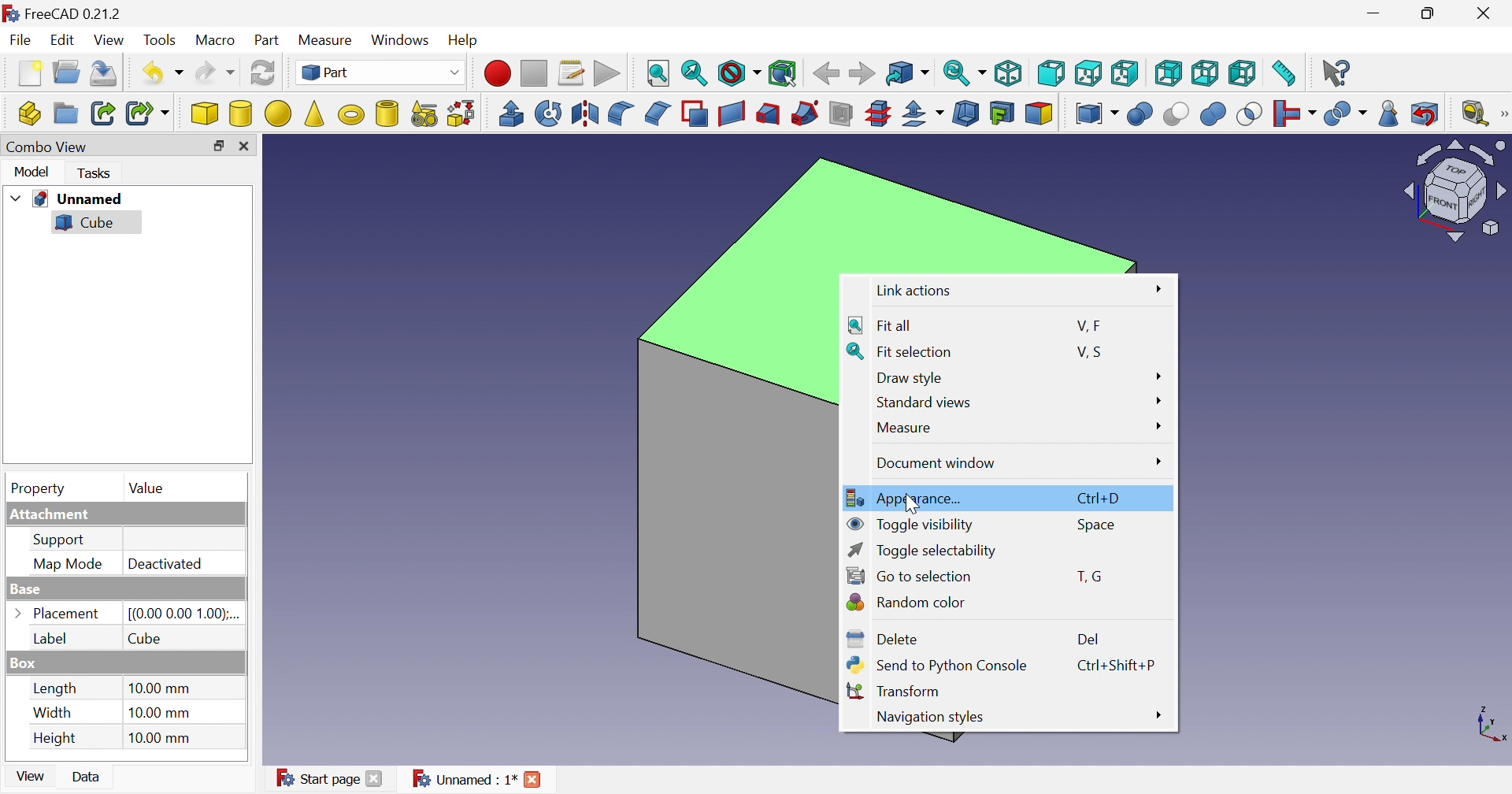 Image resolution: width=1512 pixels, height=794 pixels. Describe the element at coordinates (463, 778) in the screenshot. I see `Unnamed : 1*` at that location.